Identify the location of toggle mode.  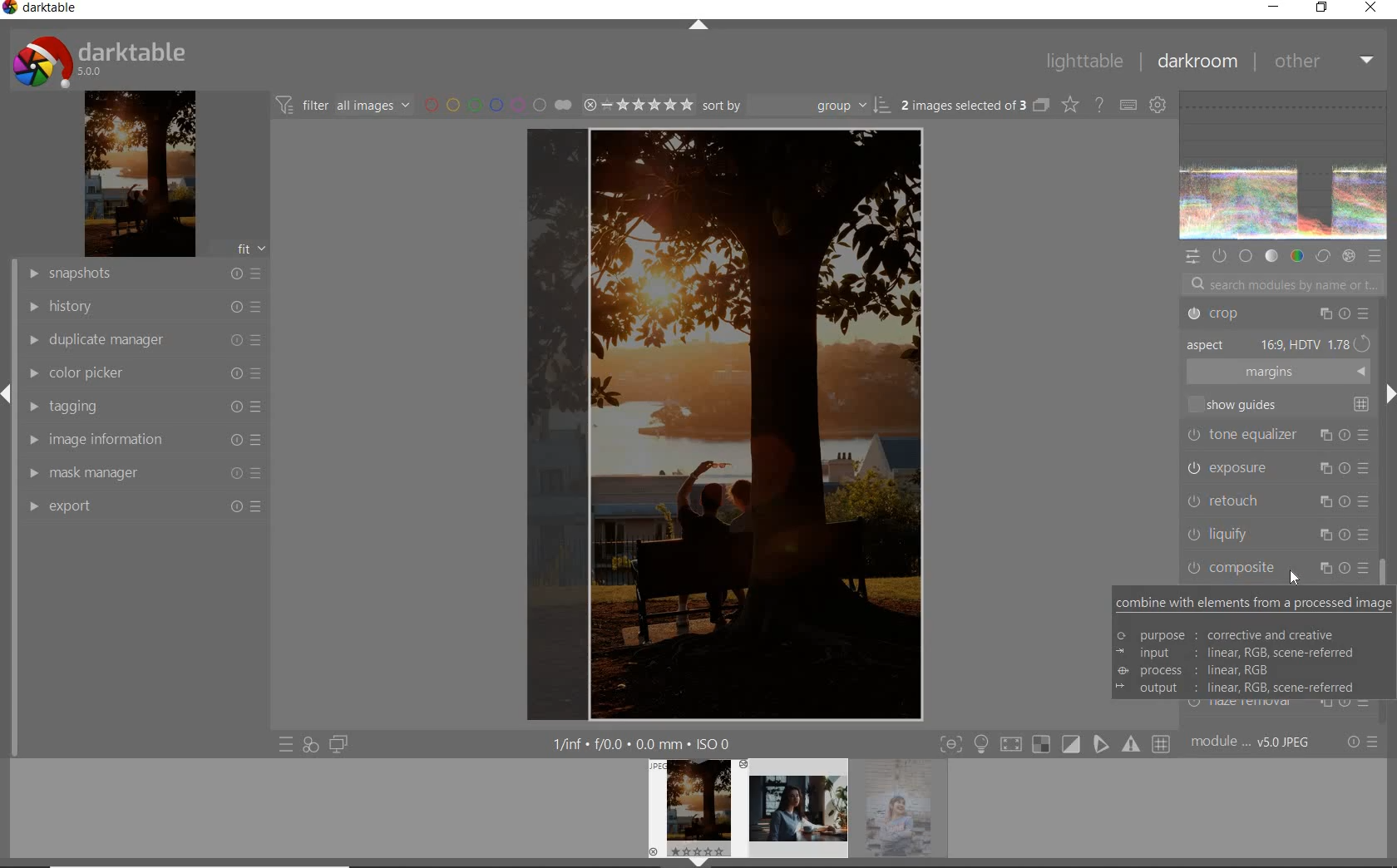
(1055, 743).